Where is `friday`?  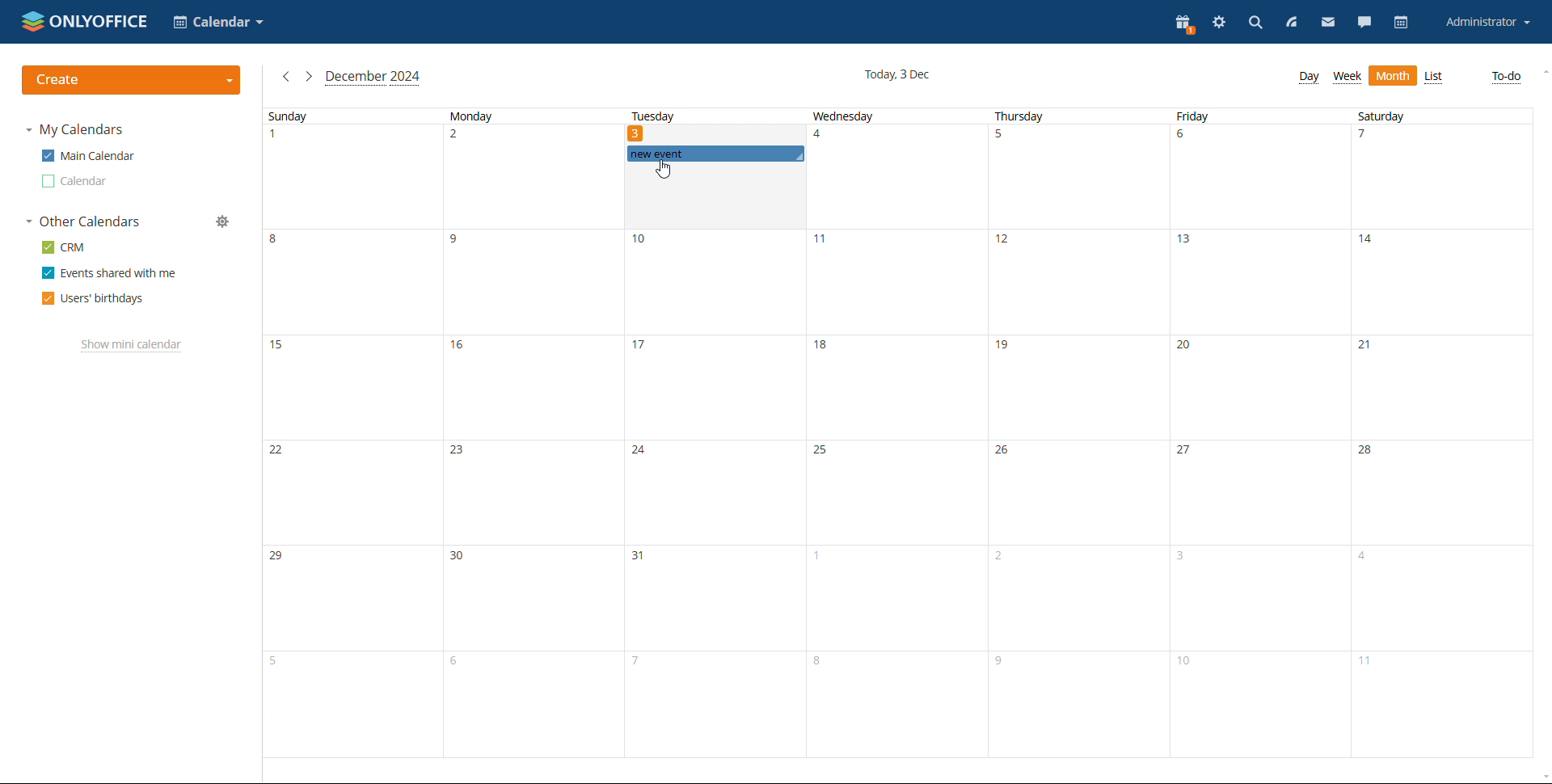
friday is located at coordinates (1254, 433).